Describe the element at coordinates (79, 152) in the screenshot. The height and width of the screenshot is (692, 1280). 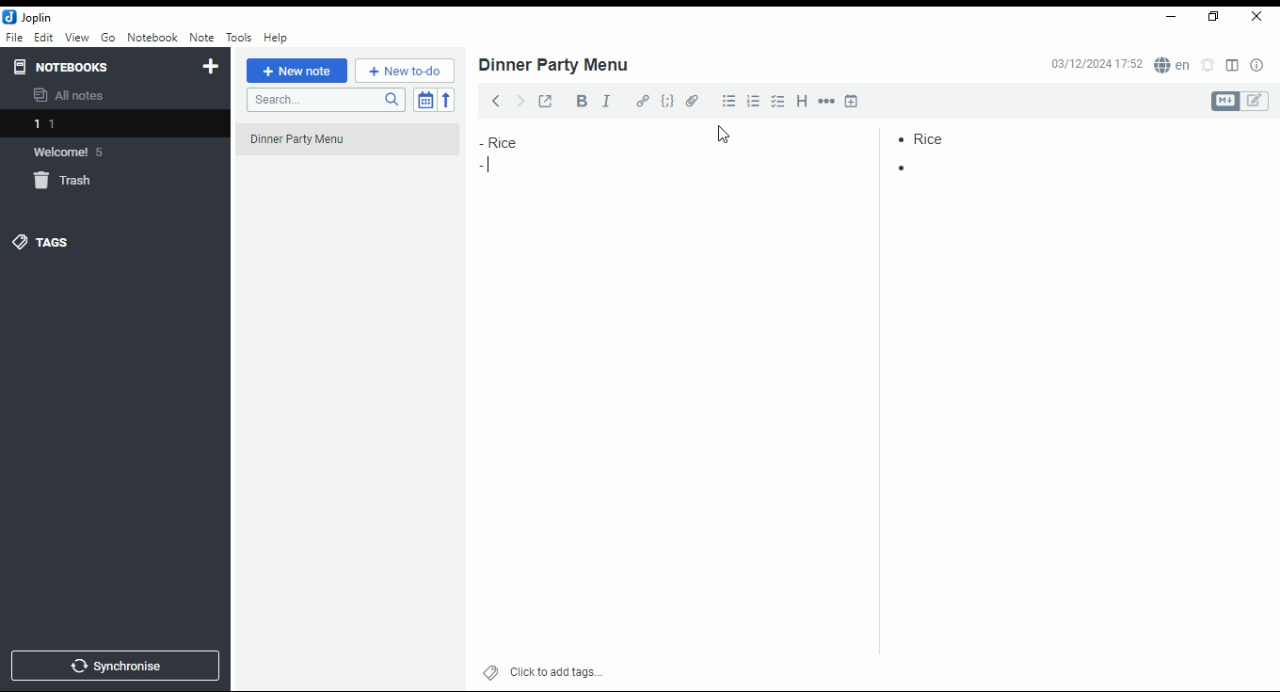
I see `Welcome 5` at that location.